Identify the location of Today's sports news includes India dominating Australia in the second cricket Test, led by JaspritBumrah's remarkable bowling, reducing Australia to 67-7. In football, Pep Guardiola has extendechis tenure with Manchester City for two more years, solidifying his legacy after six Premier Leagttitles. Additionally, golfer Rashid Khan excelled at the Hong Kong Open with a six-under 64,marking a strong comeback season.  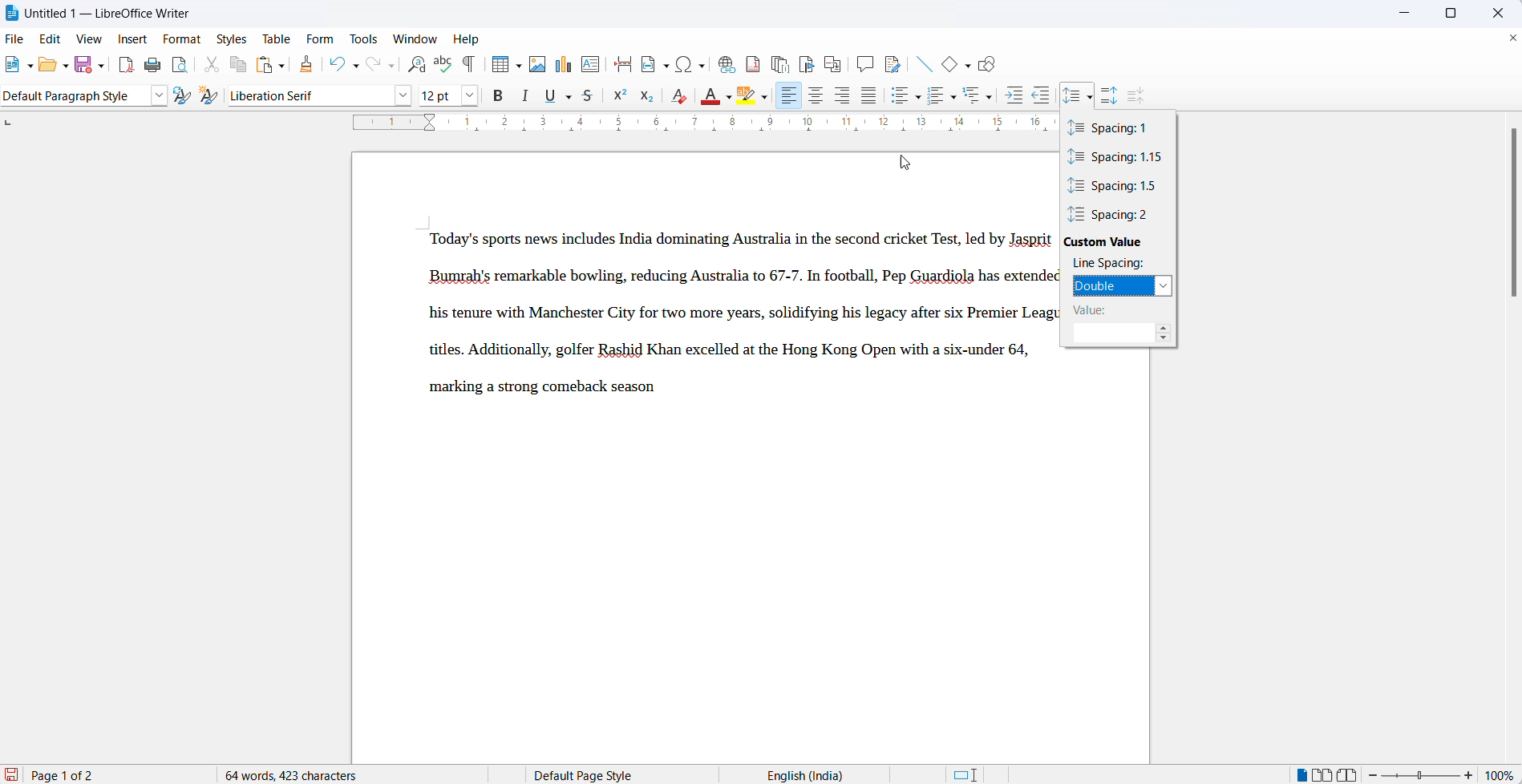
(736, 317).